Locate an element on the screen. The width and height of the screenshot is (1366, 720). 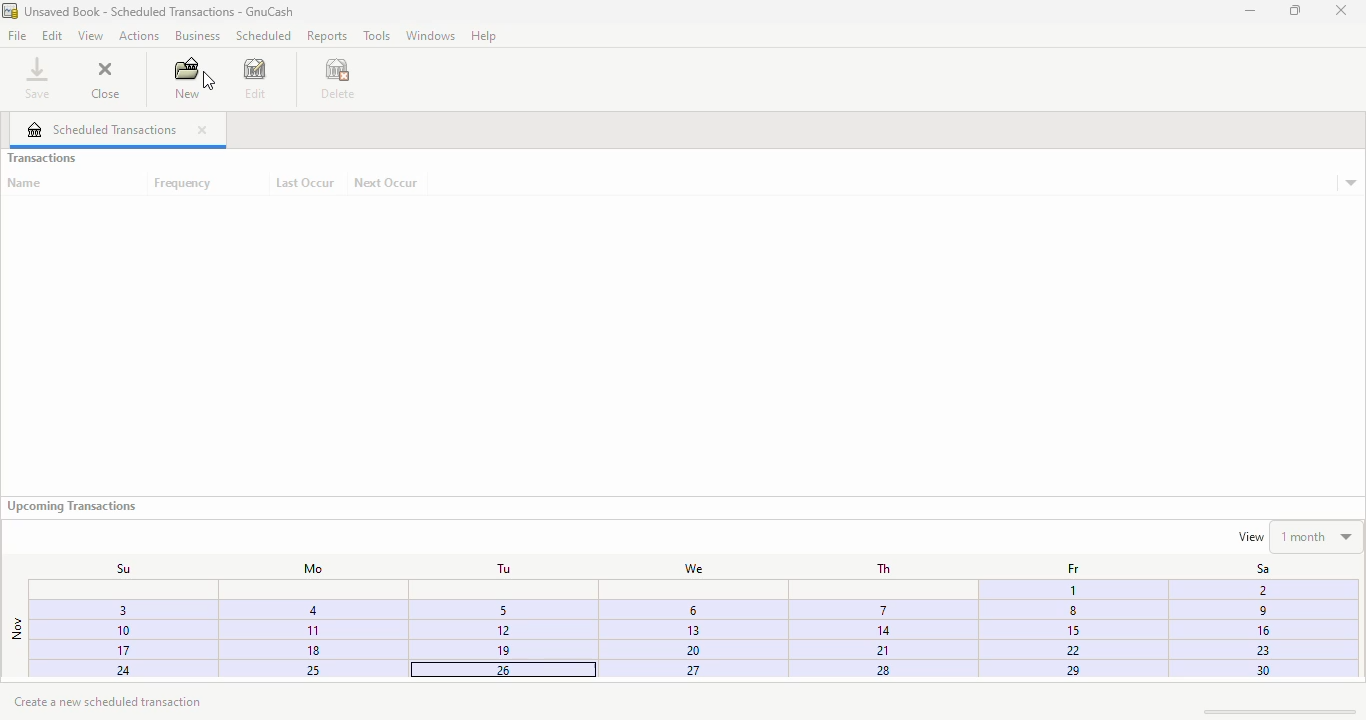
business is located at coordinates (197, 35).